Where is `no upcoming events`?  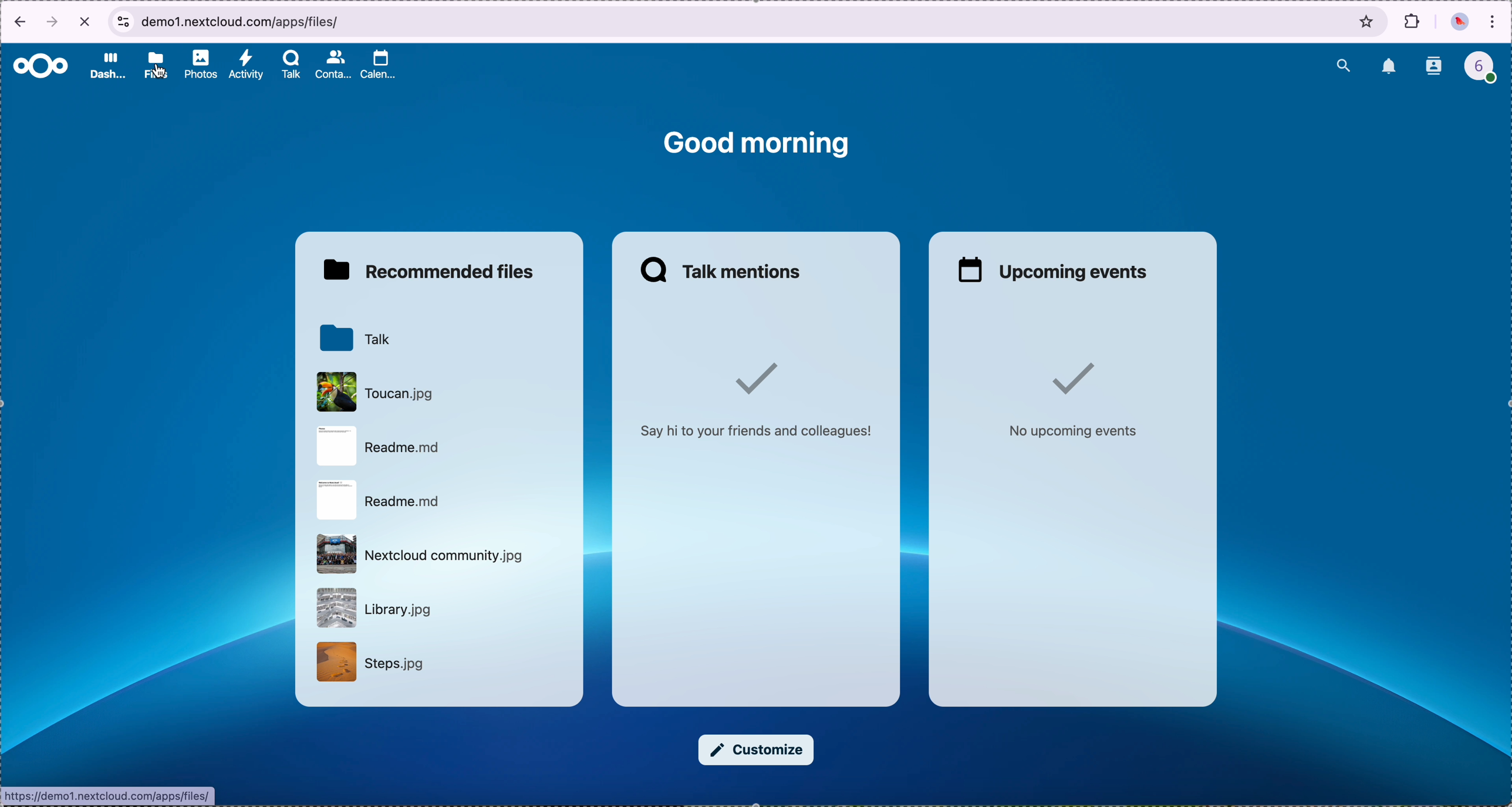 no upcoming events is located at coordinates (1066, 401).